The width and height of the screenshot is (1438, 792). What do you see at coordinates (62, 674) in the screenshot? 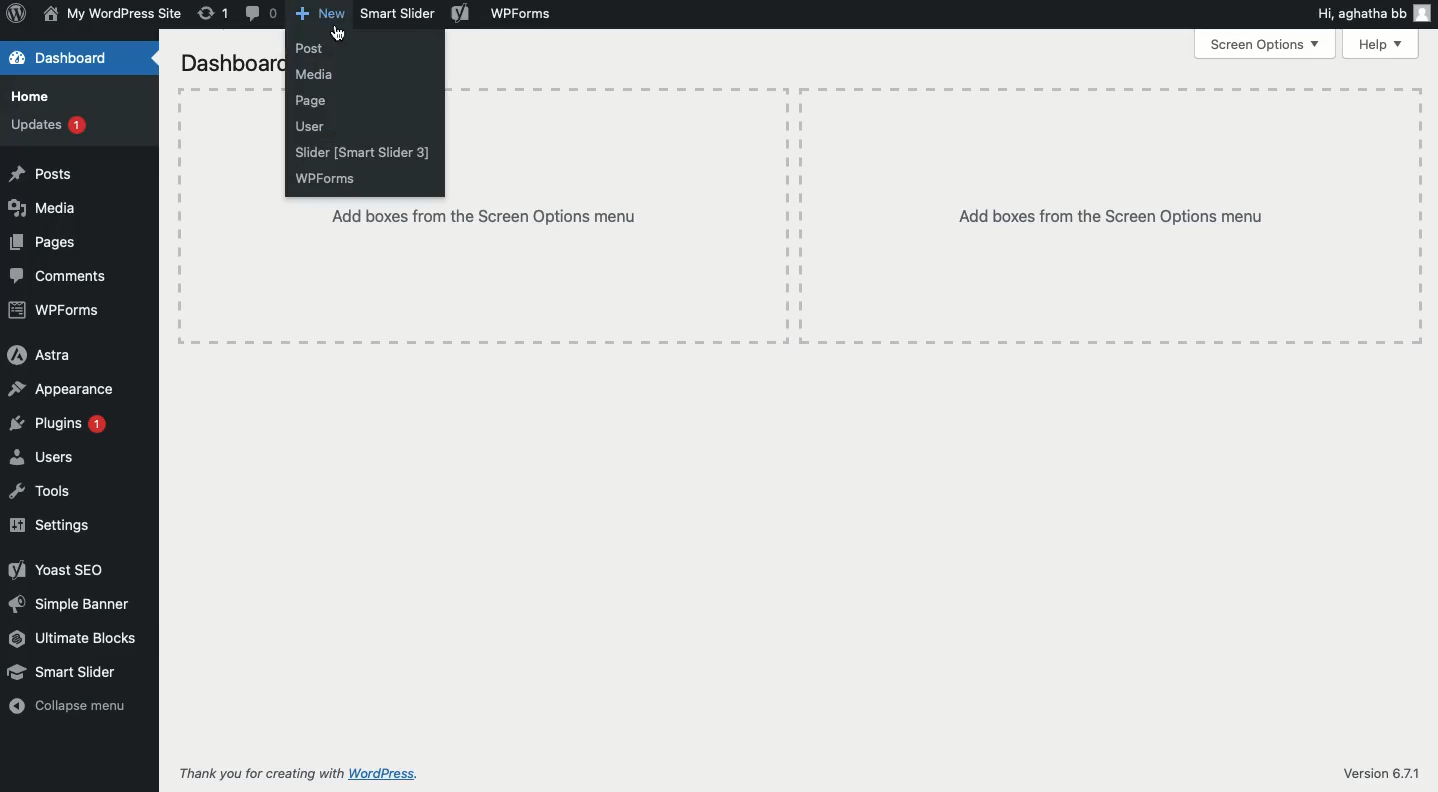
I see `Smart slider` at bounding box center [62, 674].